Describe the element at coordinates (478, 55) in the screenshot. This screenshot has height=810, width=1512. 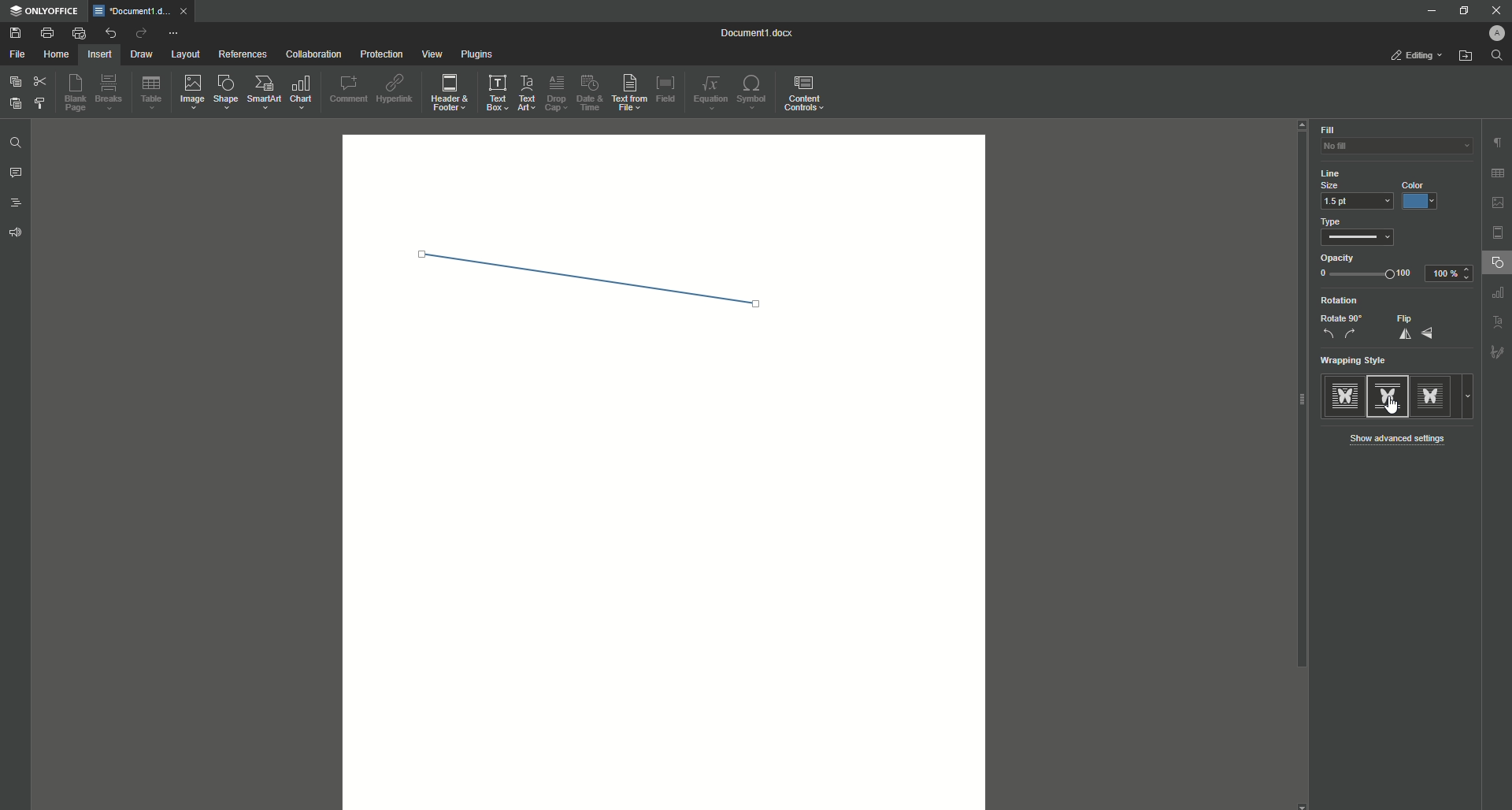
I see `Plugins` at that location.